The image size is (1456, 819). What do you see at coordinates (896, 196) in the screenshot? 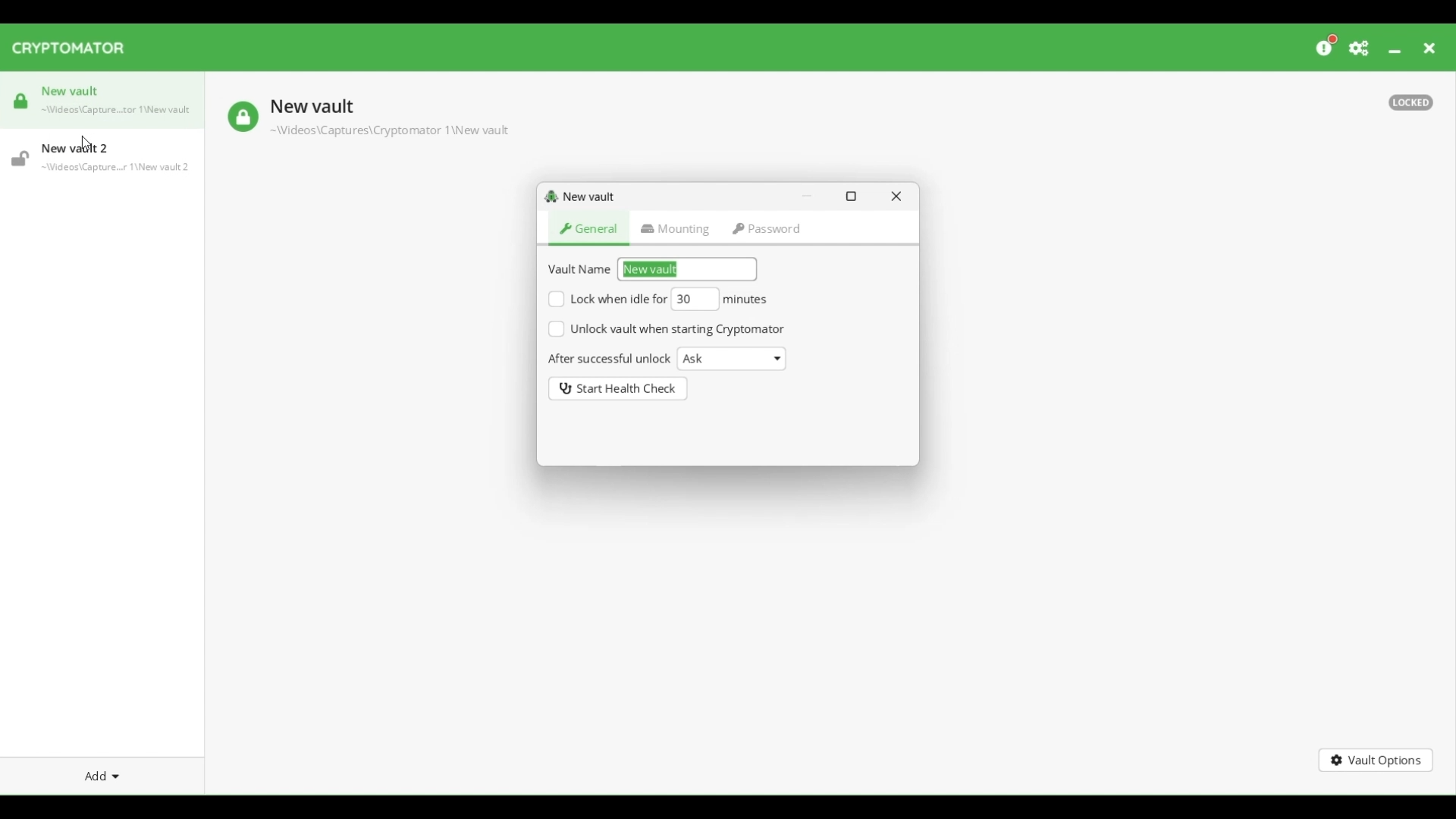
I see `Close window` at bounding box center [896, 196].